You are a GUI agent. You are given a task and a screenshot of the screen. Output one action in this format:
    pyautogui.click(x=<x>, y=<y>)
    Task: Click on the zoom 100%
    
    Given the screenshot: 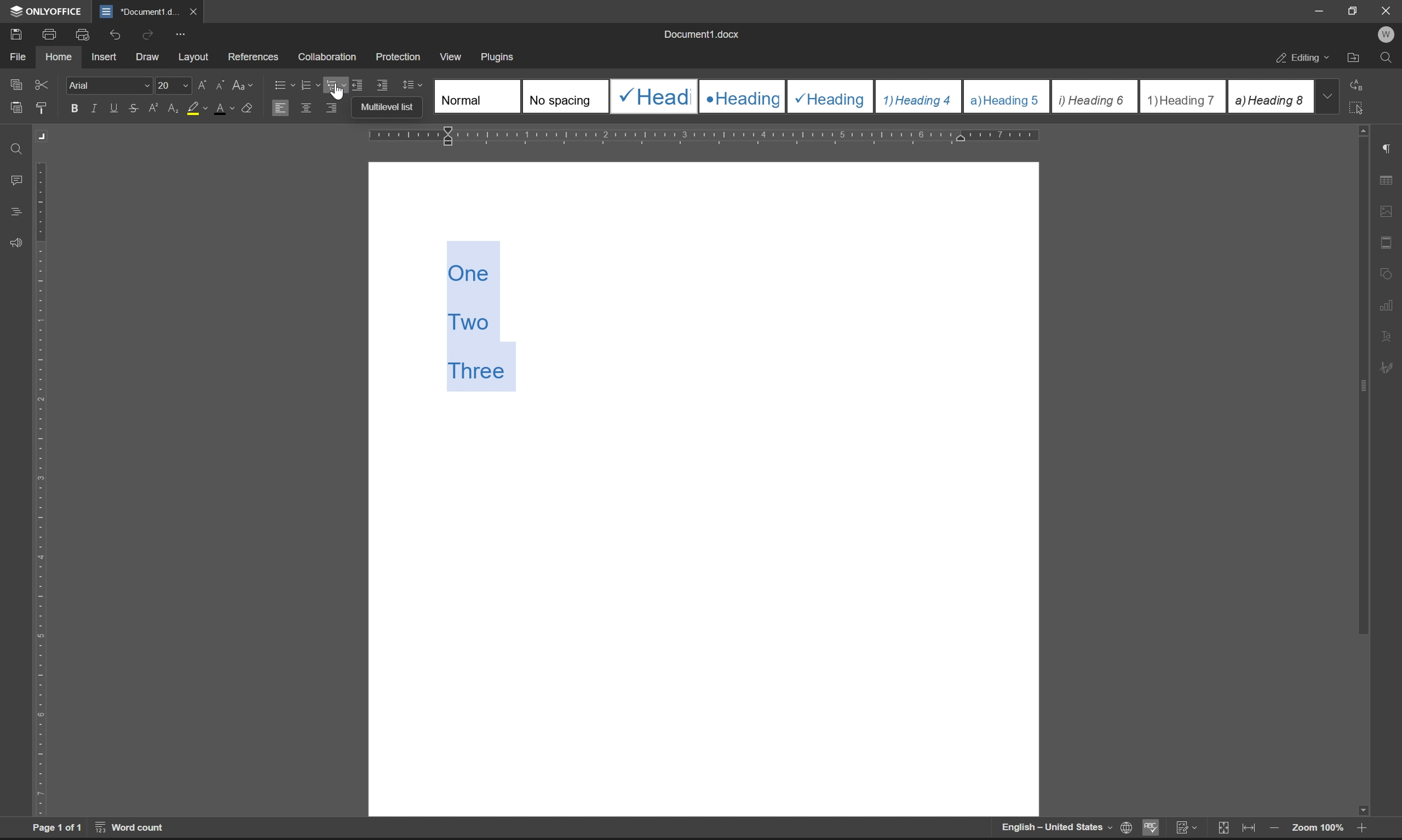 What is the action you would take?
    pyautogui.click(x=1317, y=830)
    